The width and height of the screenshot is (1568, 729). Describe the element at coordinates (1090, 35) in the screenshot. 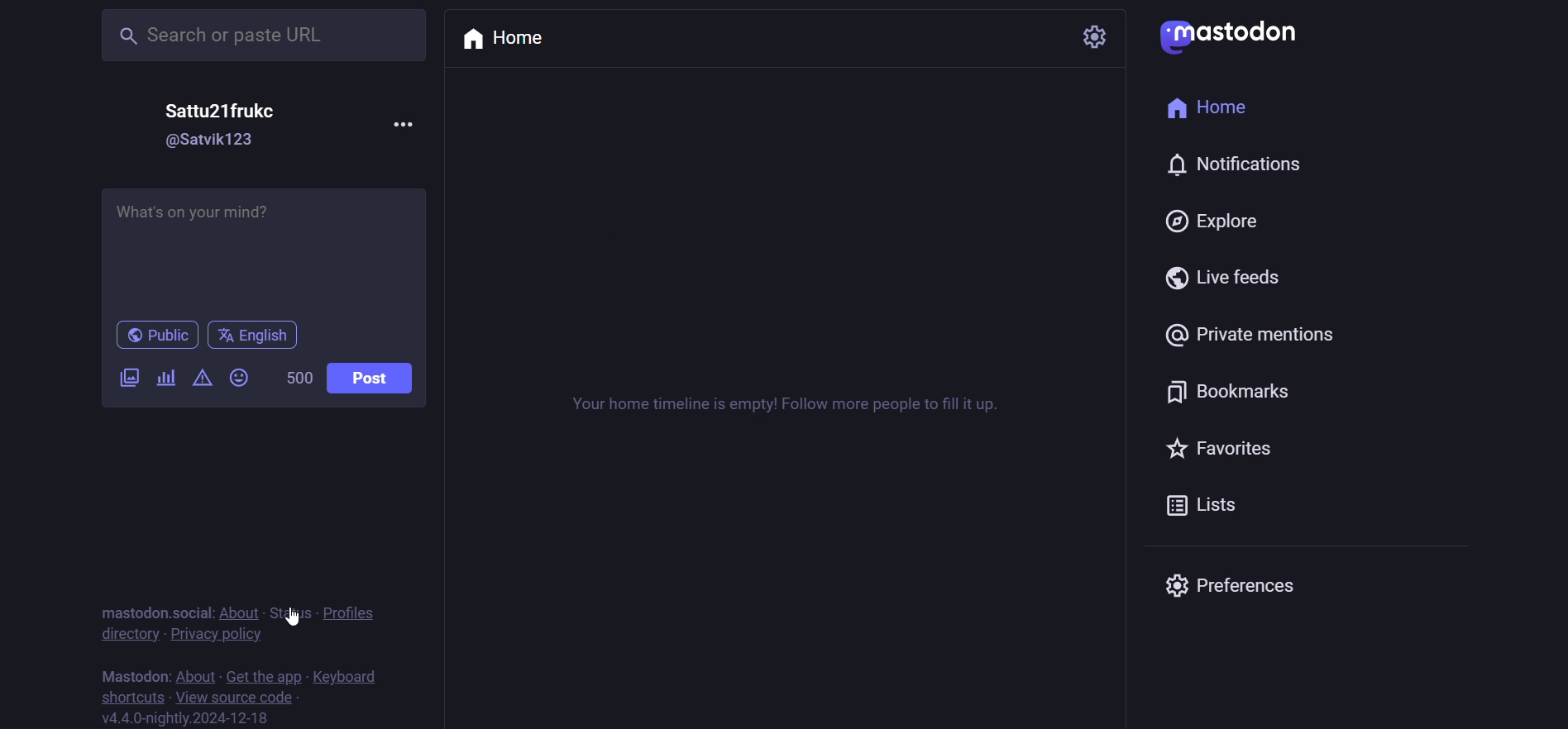

I see `setting` at that location.